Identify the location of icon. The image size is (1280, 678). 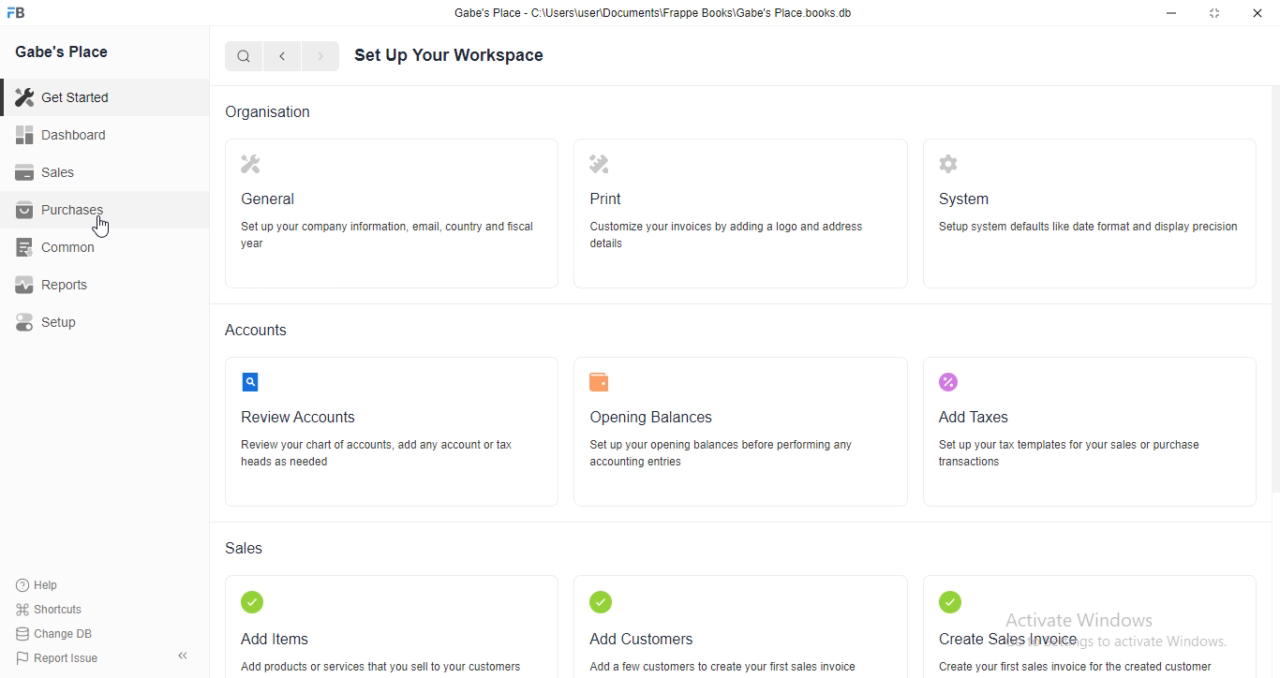
(599, 160).